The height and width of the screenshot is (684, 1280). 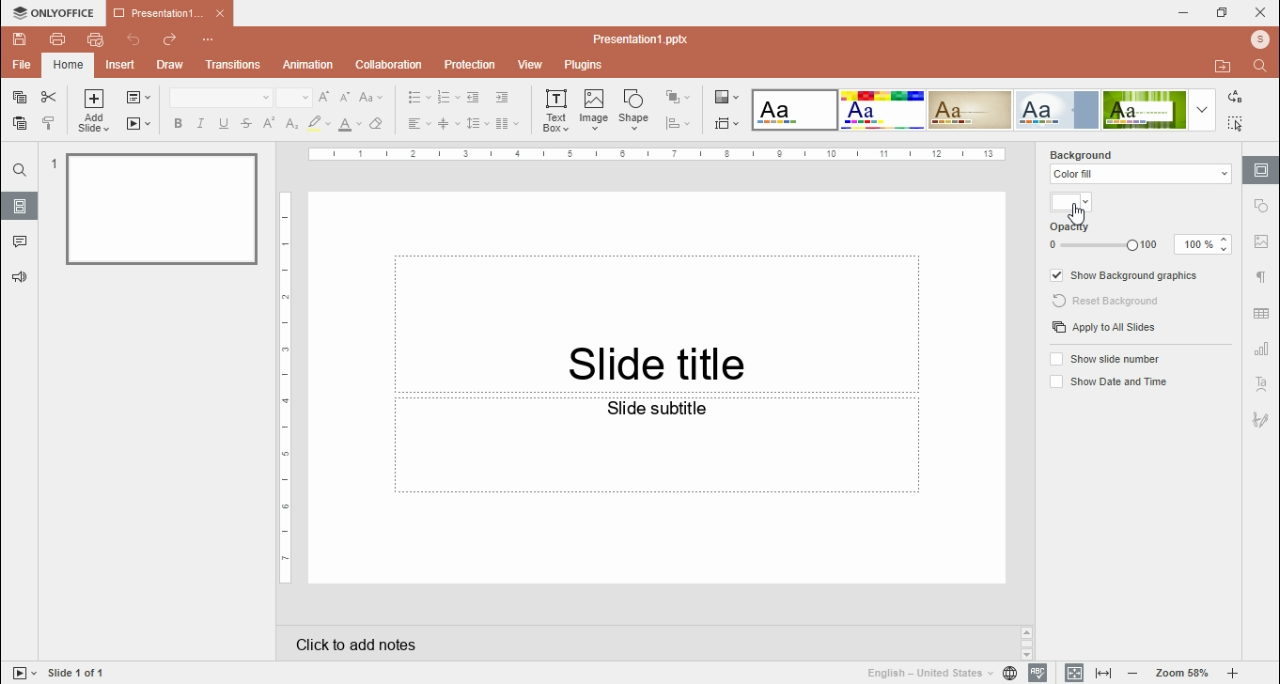 What do you see at coordinates (371, 97) in the screenshot?
I see `change case` at bounding box center [371, 97].